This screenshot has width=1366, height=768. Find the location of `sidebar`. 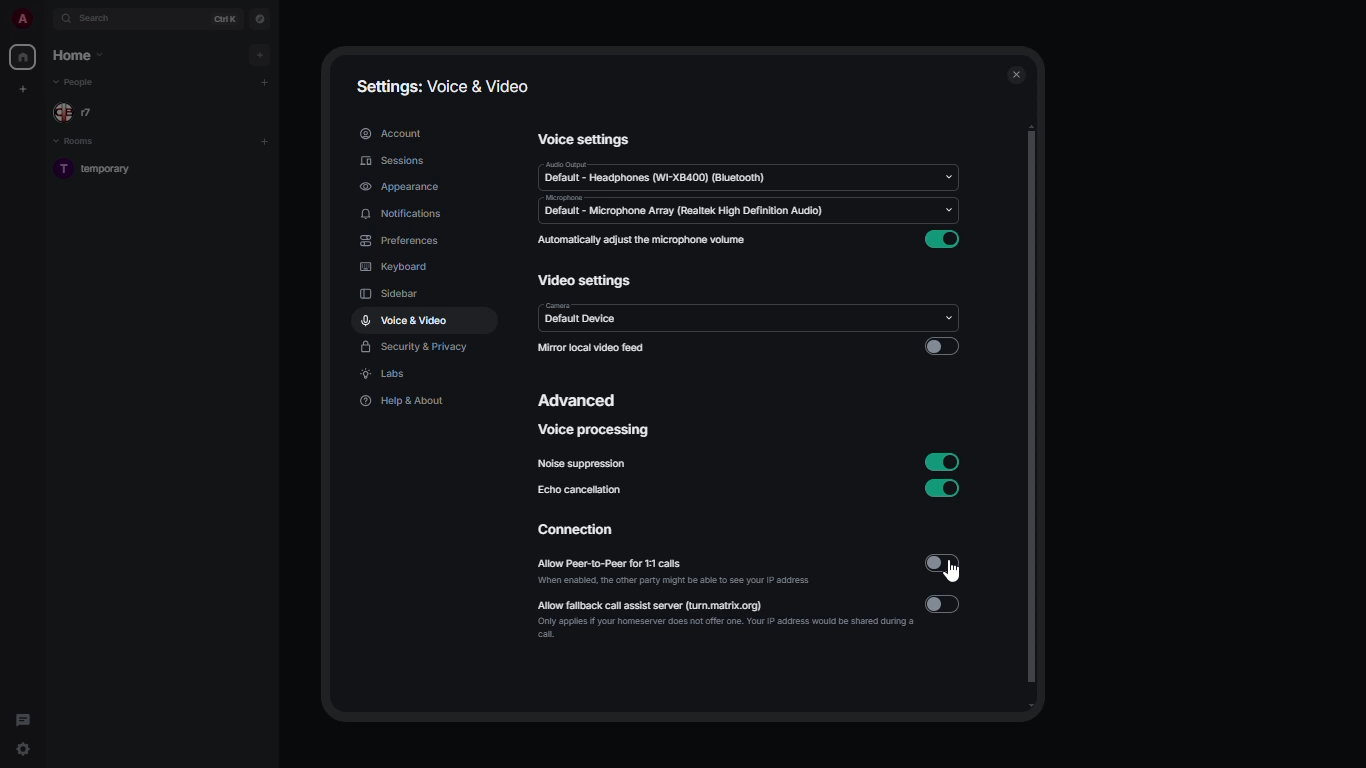

sidebar is located at coordinates (392, 293).